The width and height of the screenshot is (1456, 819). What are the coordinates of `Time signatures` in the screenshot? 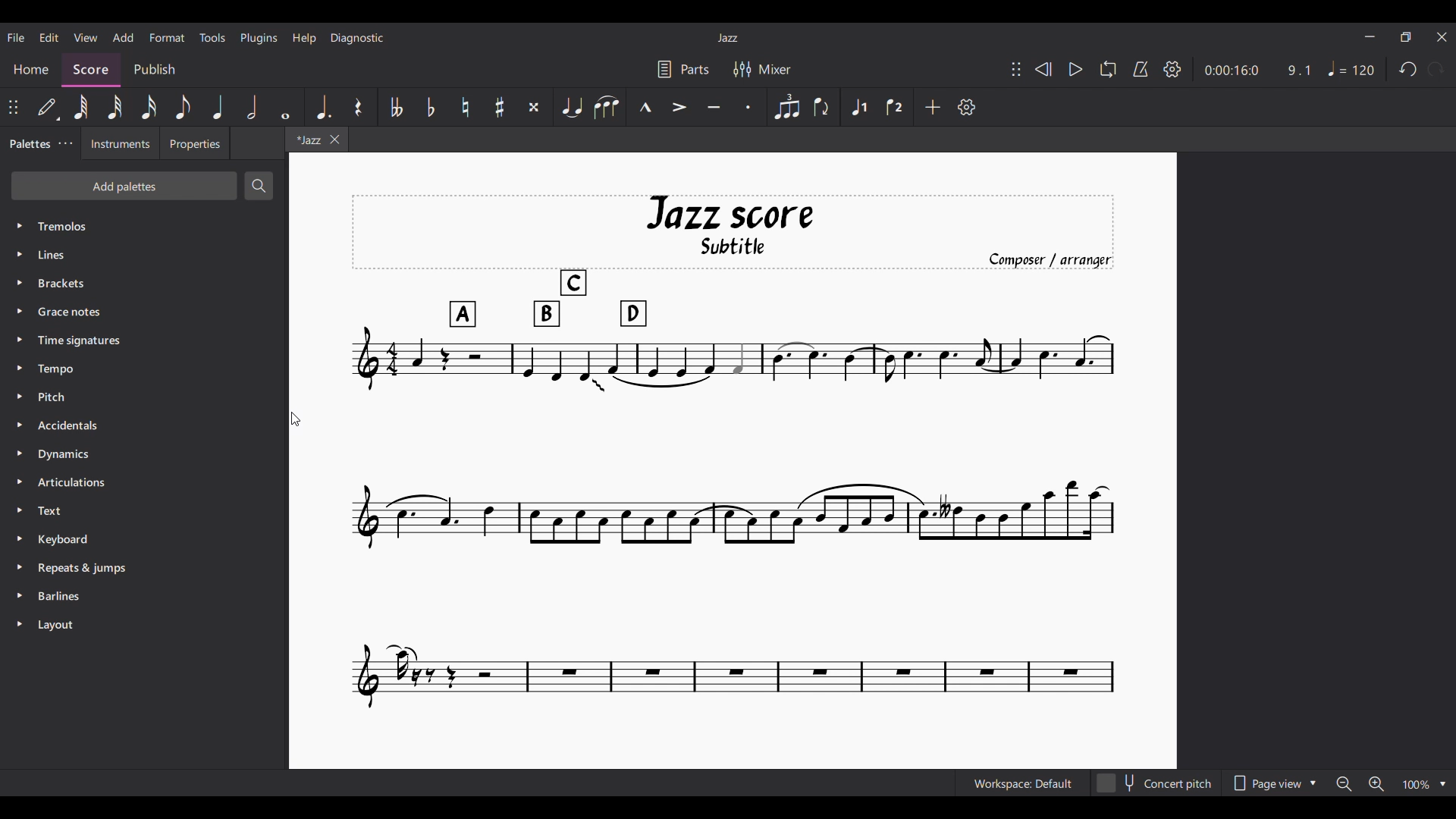 It's located at (144, 340).